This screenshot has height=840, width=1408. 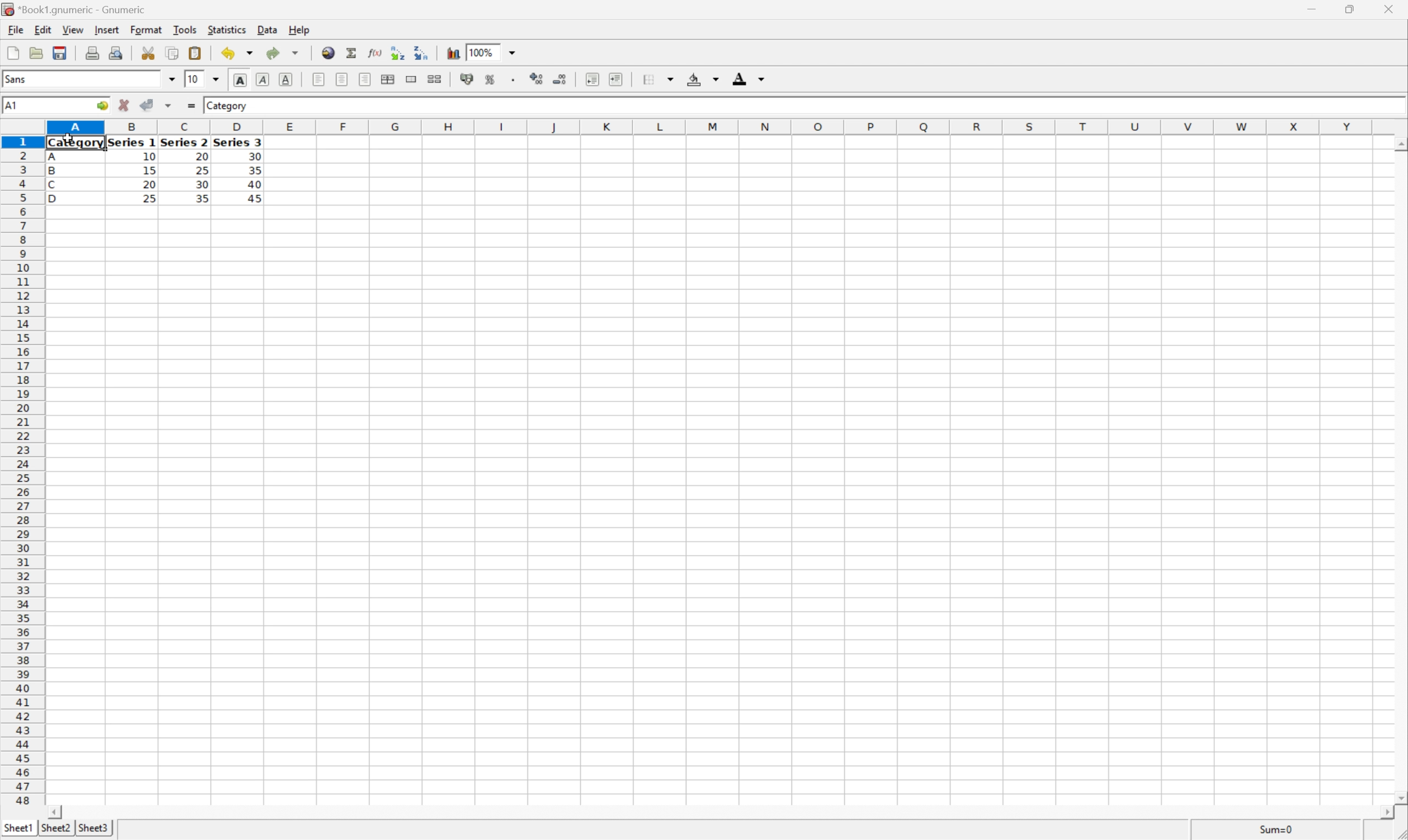 I want to click on Set the format of the selected cells to include a thousands separator, so click(x=515, y=81).